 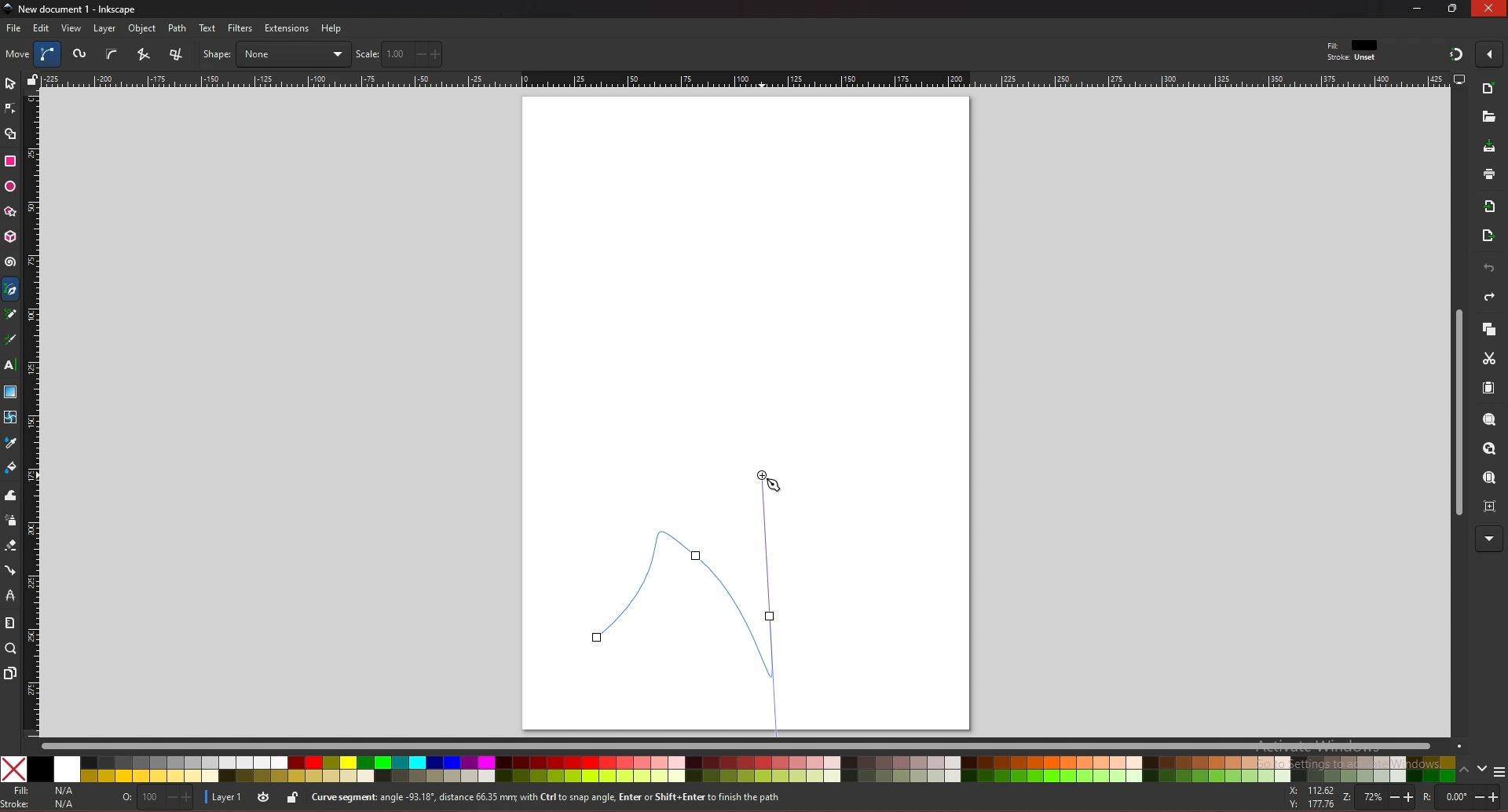 What do you see at coordinates (751, 744) in the screenshot?
I see `scroll bar` at bounding box center [751, 744].